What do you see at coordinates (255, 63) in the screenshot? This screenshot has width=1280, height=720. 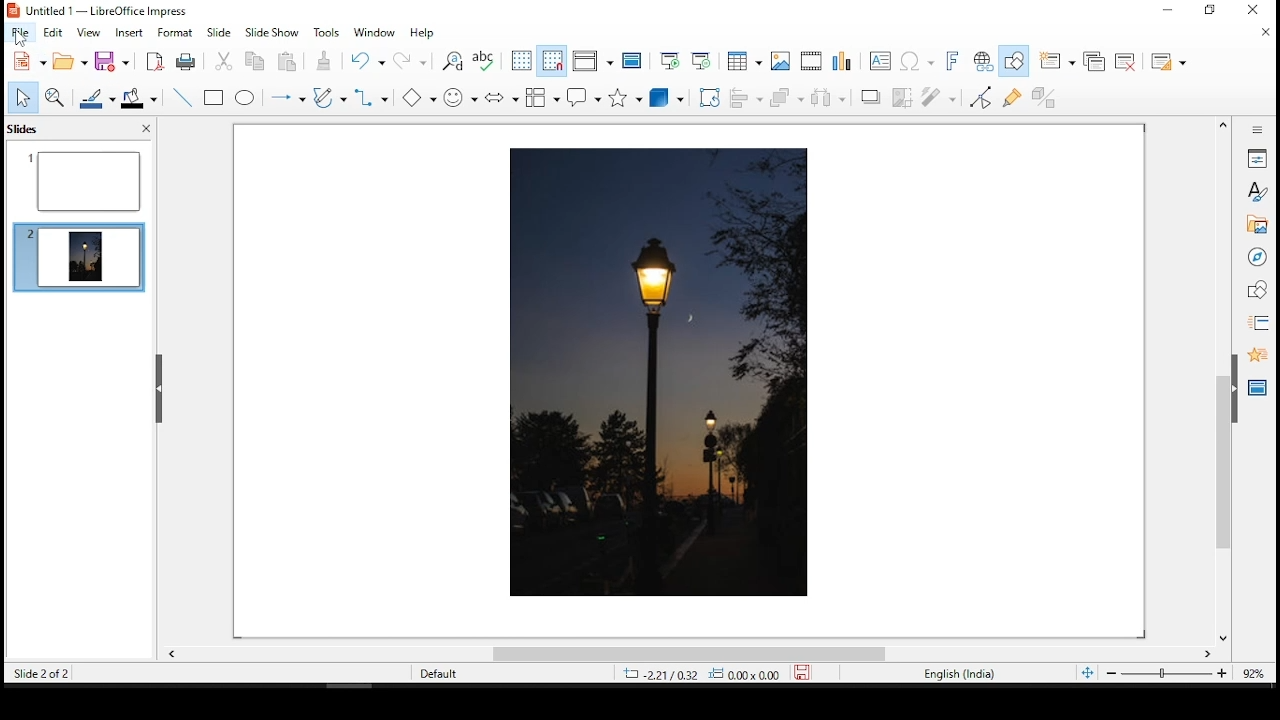 I see `copy` at bounding box center [255, 63].